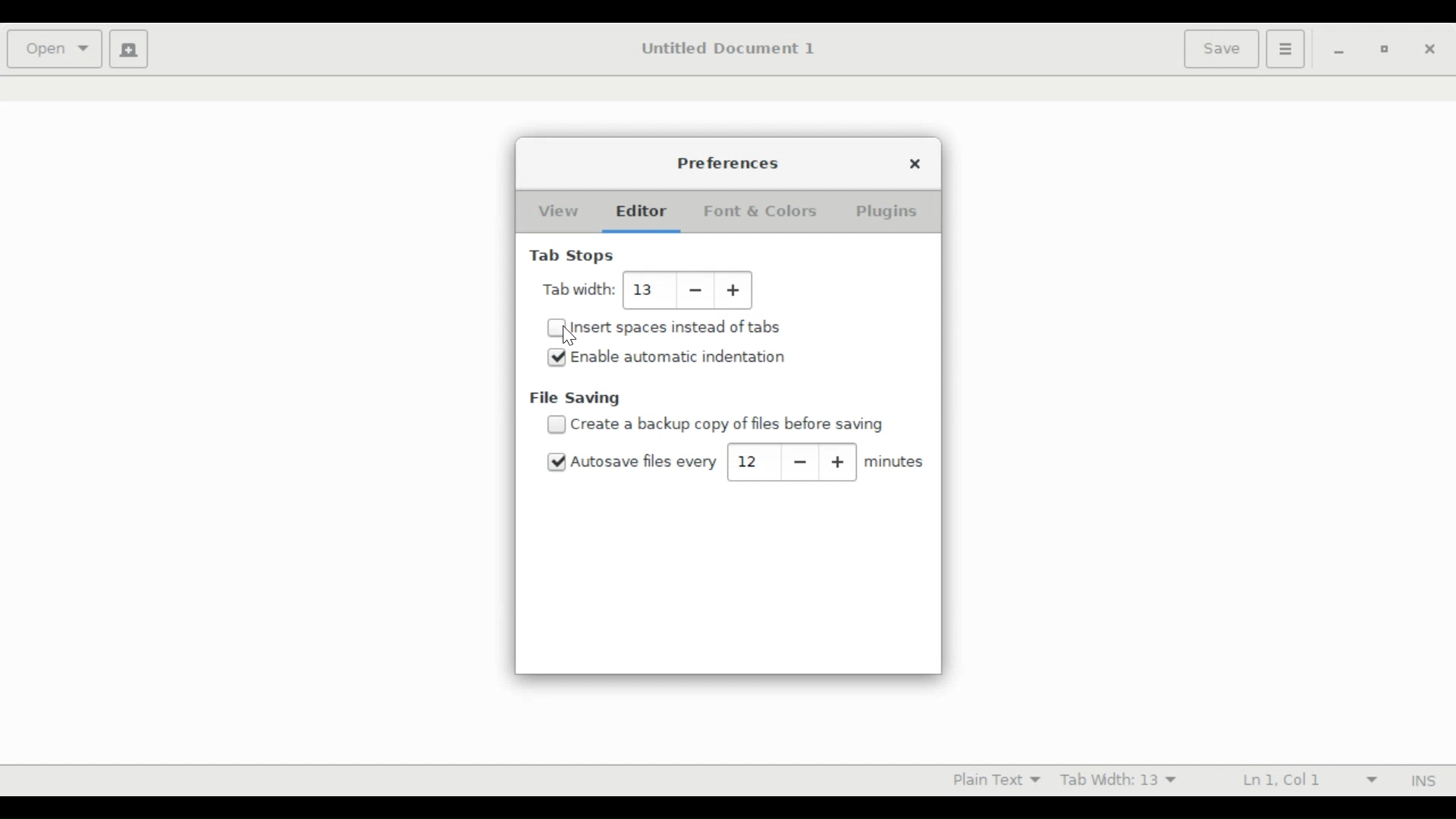 This screenshot has height=819, width=1456. I want to click on File Saving, so click(576, 399).